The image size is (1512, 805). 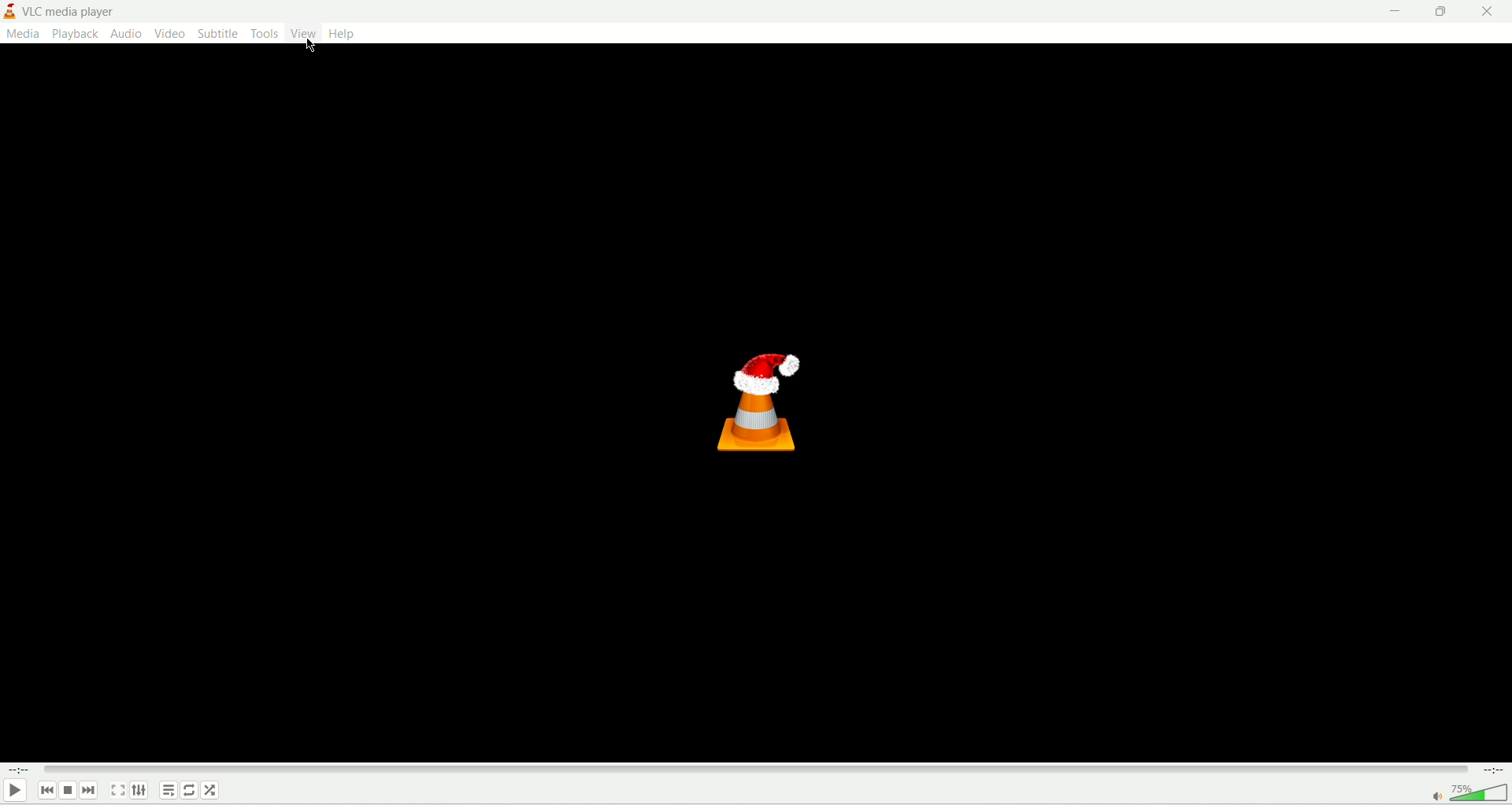 What do you see at coordinates (303, 34) in the screenshot?
I see `view` at bounding box center [303, 34].